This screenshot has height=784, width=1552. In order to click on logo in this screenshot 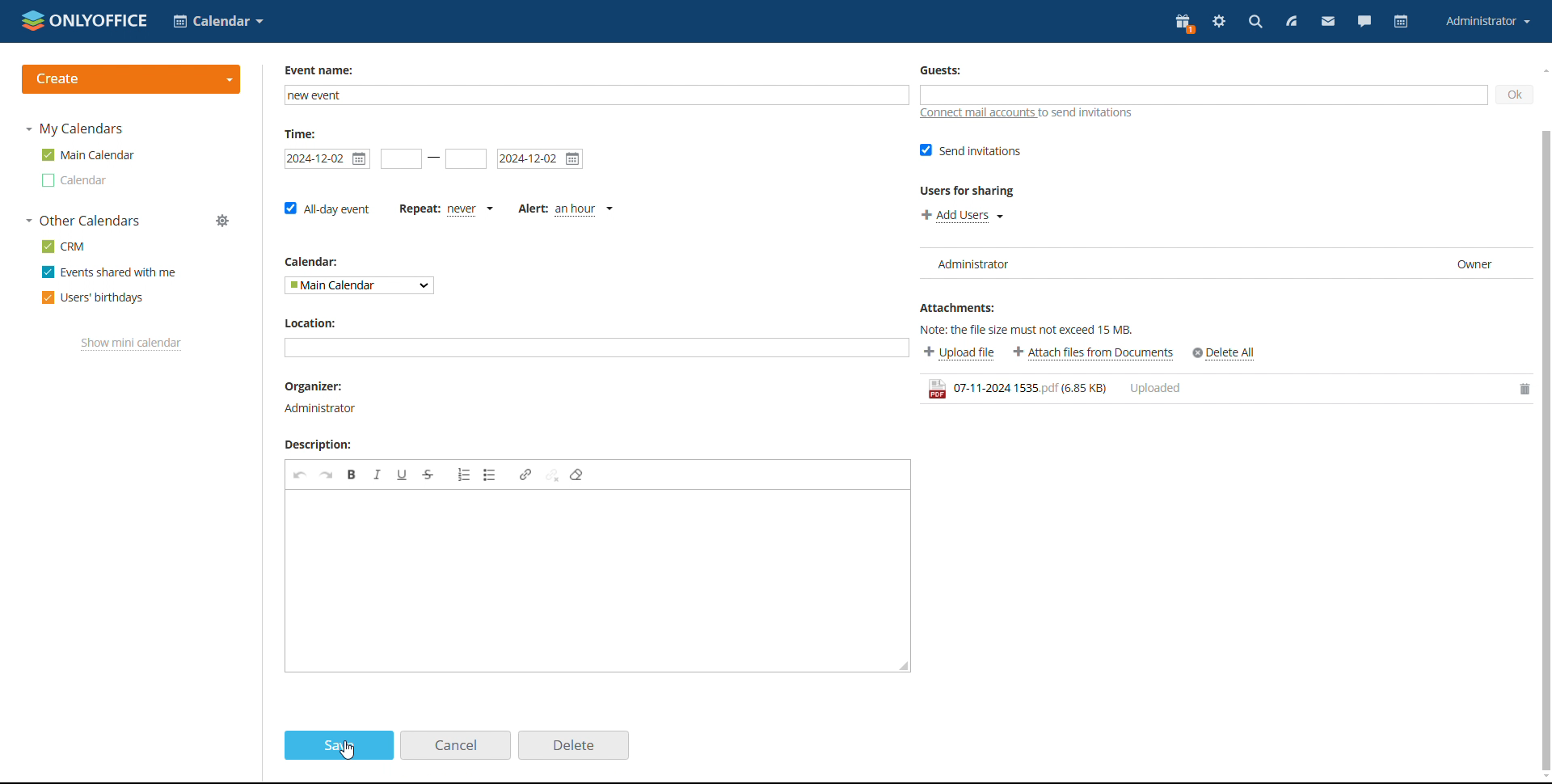, I will do `click(86, 20)`.